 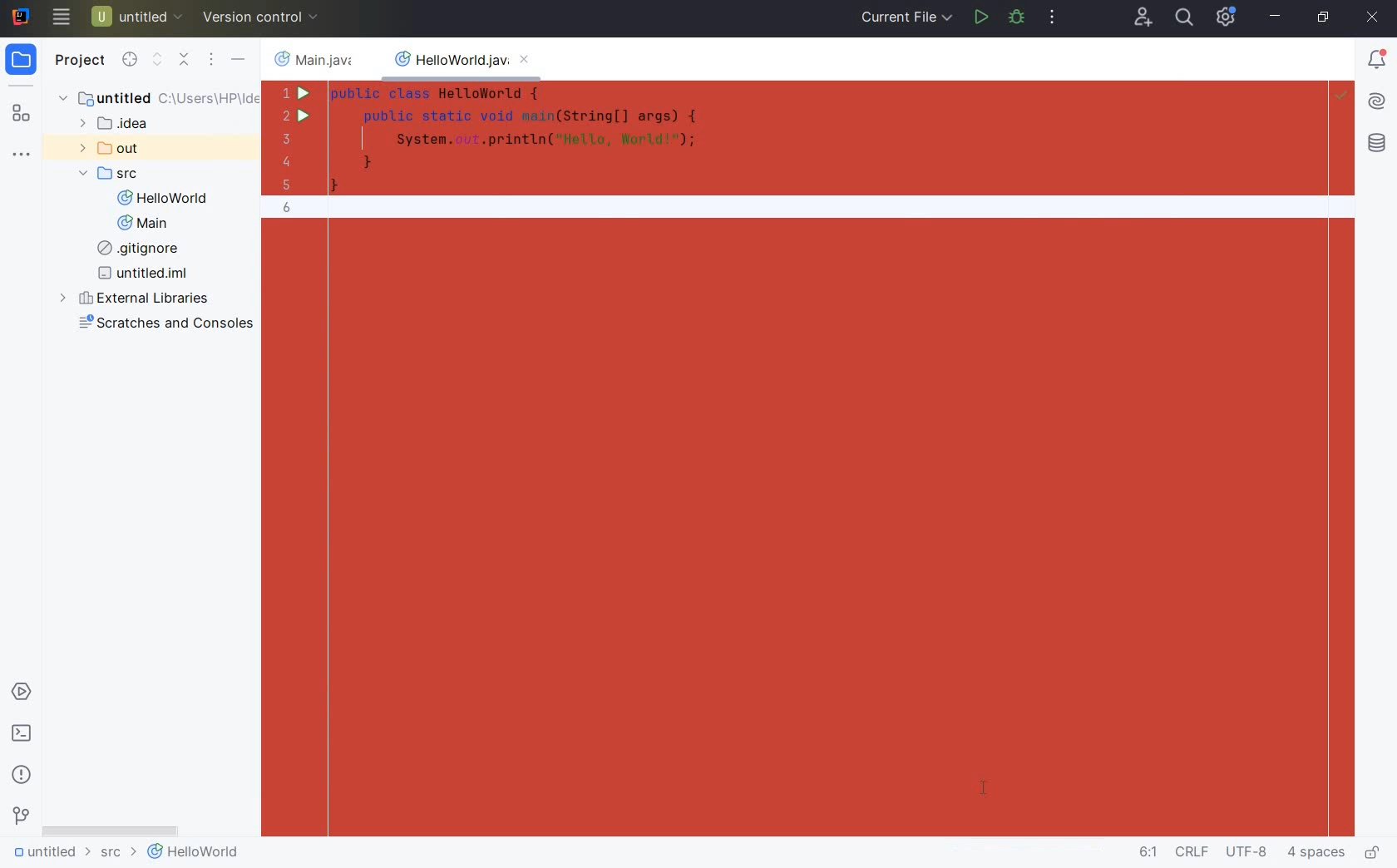 What do you see at coordinates (21, 693) in the screenshot?
I see `services` at bounding box center [21, 693].